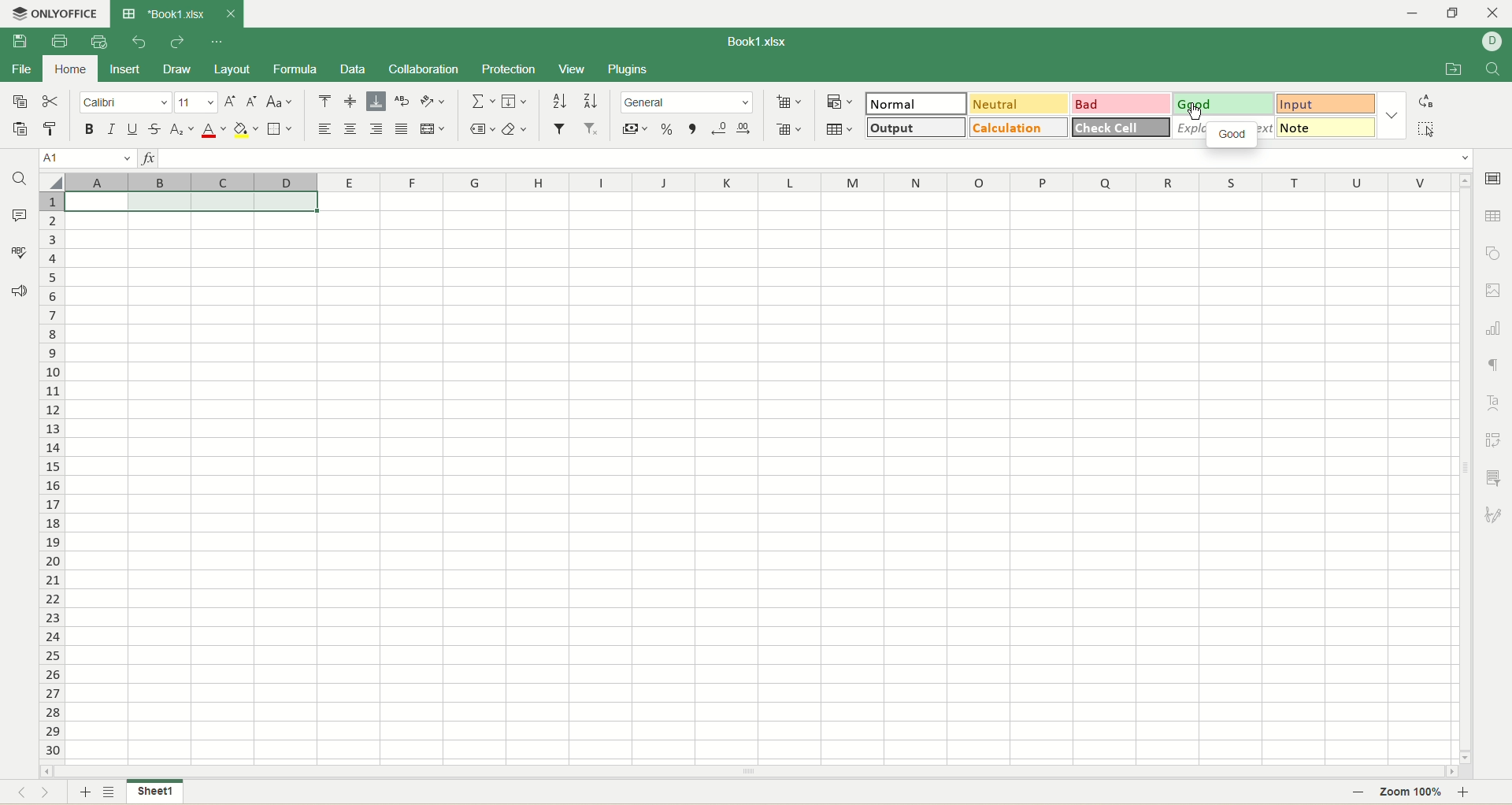  I want to click on normal, so click(916, 103).